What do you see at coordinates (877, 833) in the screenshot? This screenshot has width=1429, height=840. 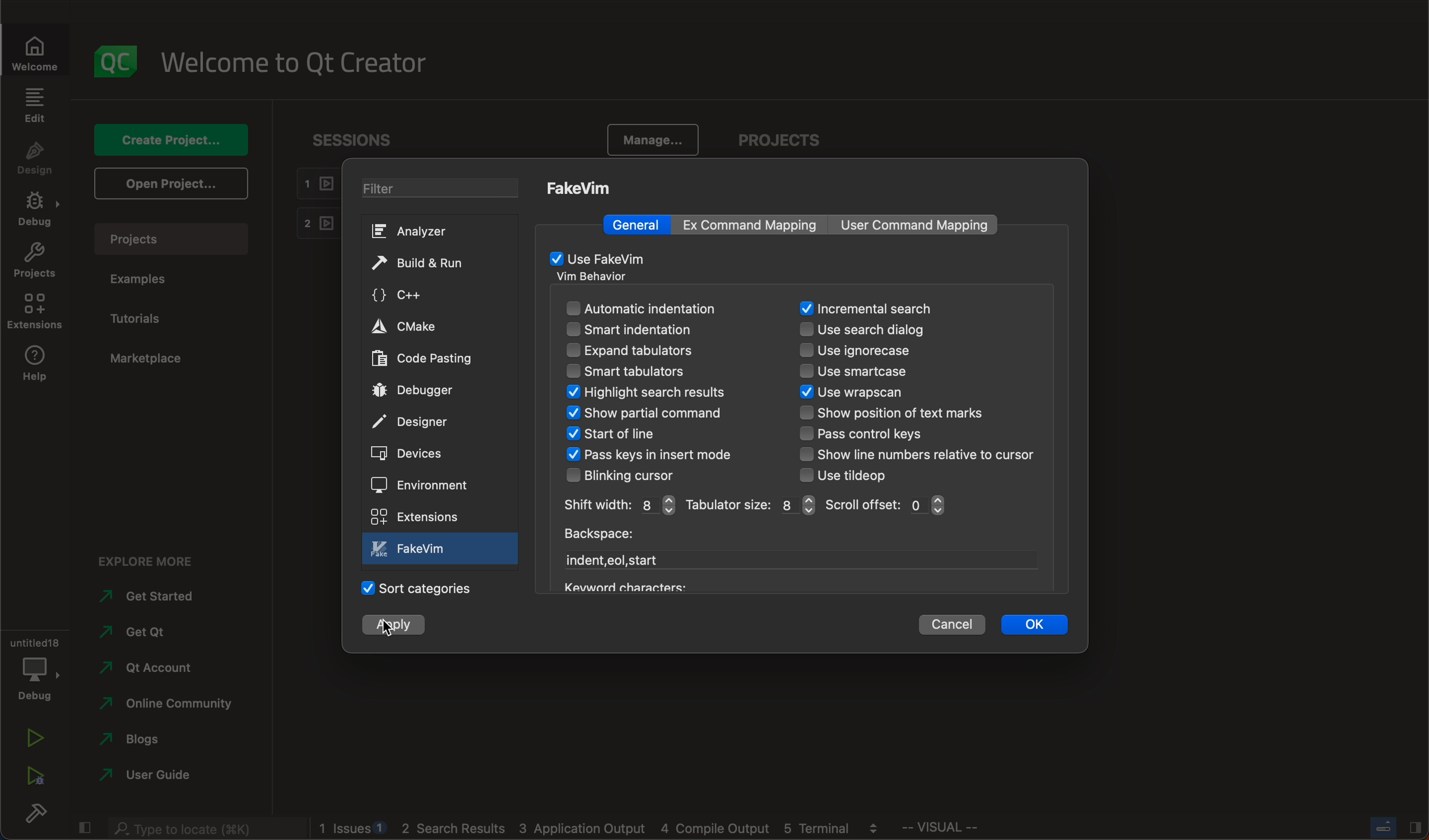 I see `logs` at bounding box center [877, 833].